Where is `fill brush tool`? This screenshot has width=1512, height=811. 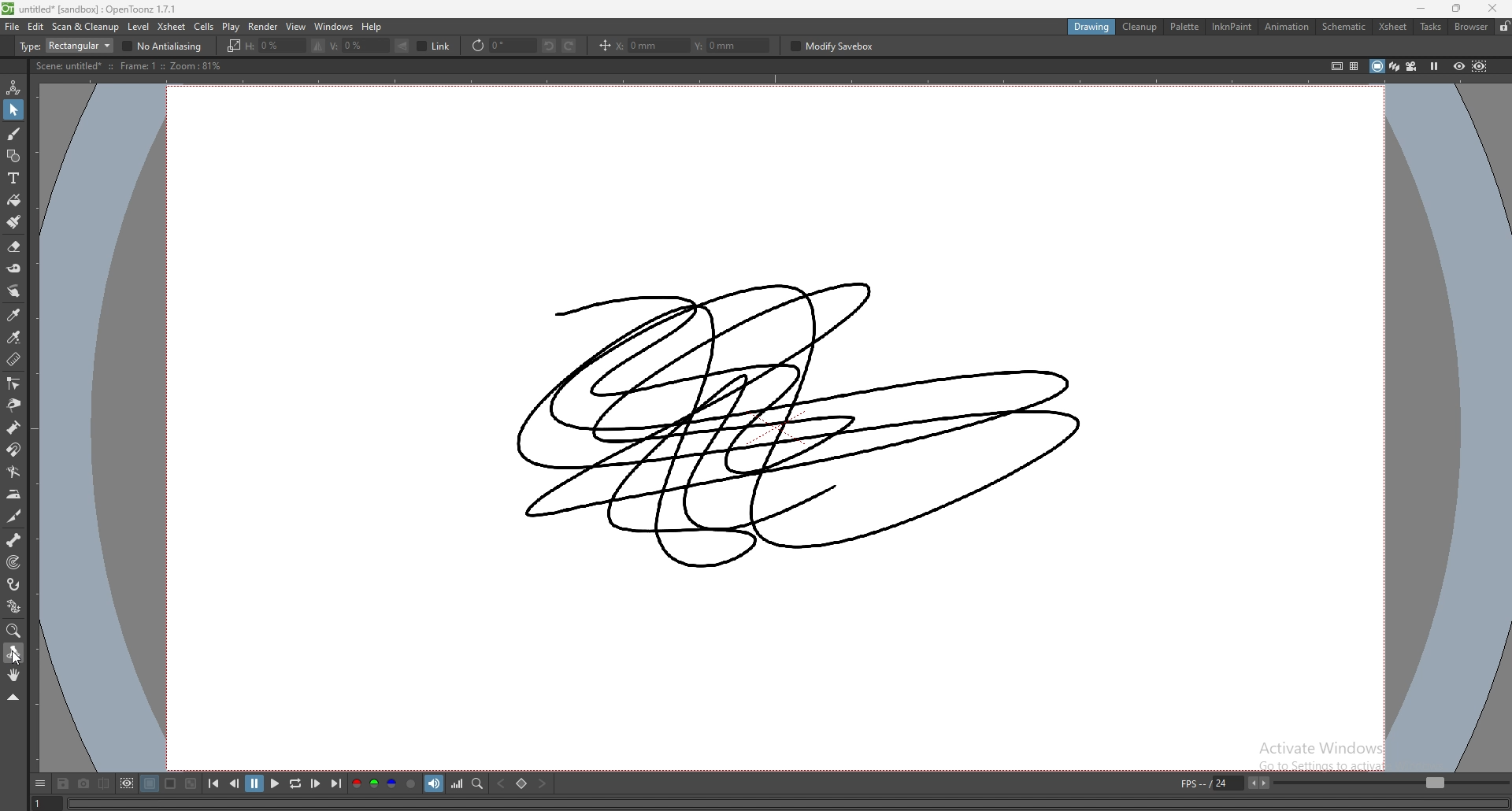
fill brush tool is located at coordinates (14, 221).